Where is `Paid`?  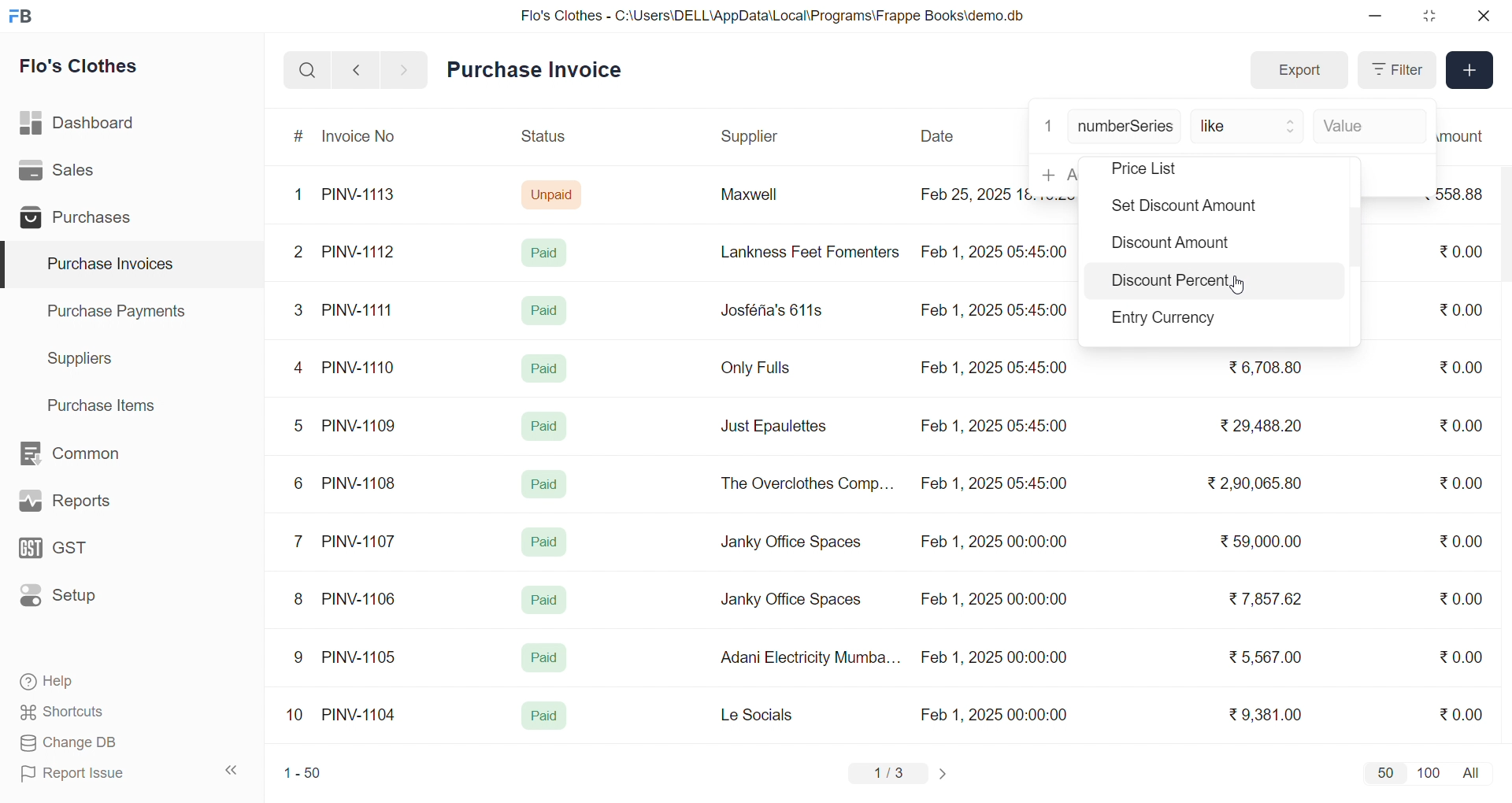 Paid is located at coordinates (543, 658).